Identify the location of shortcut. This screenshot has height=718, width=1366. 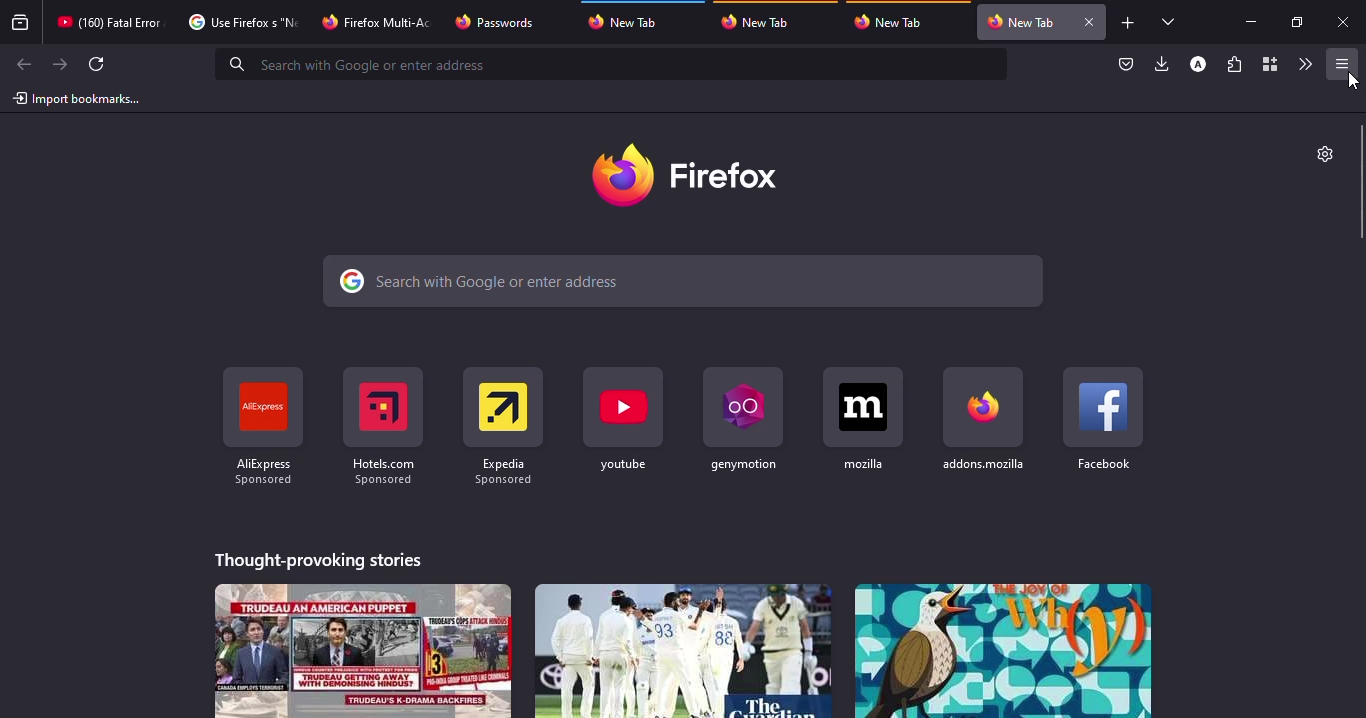
(985, 418).